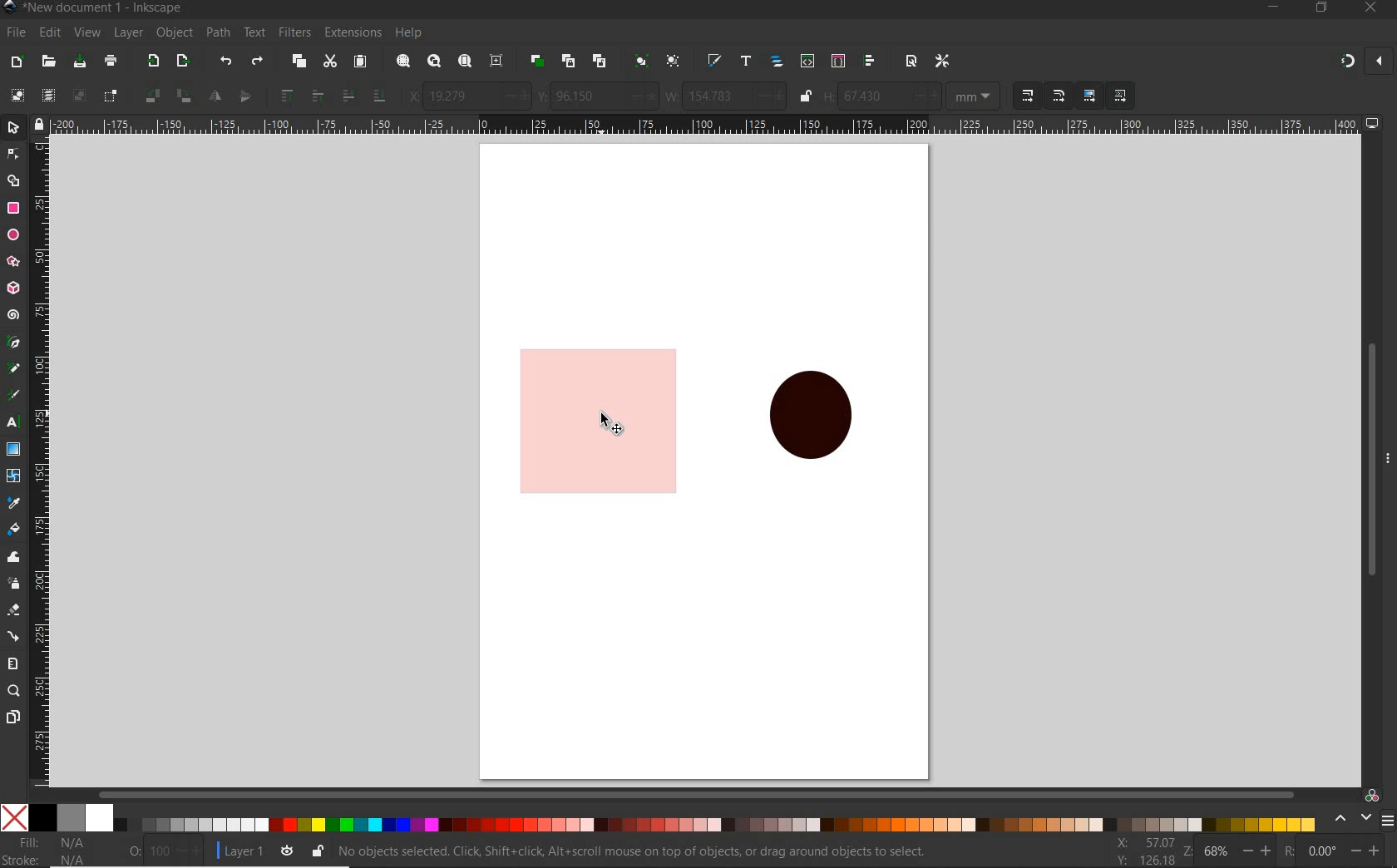 The height and width of the screenshot is (868, 1397). What do you see at coordinates (17, 95) in the screenshot?
I see `select all` at bounding box center [17, 95].